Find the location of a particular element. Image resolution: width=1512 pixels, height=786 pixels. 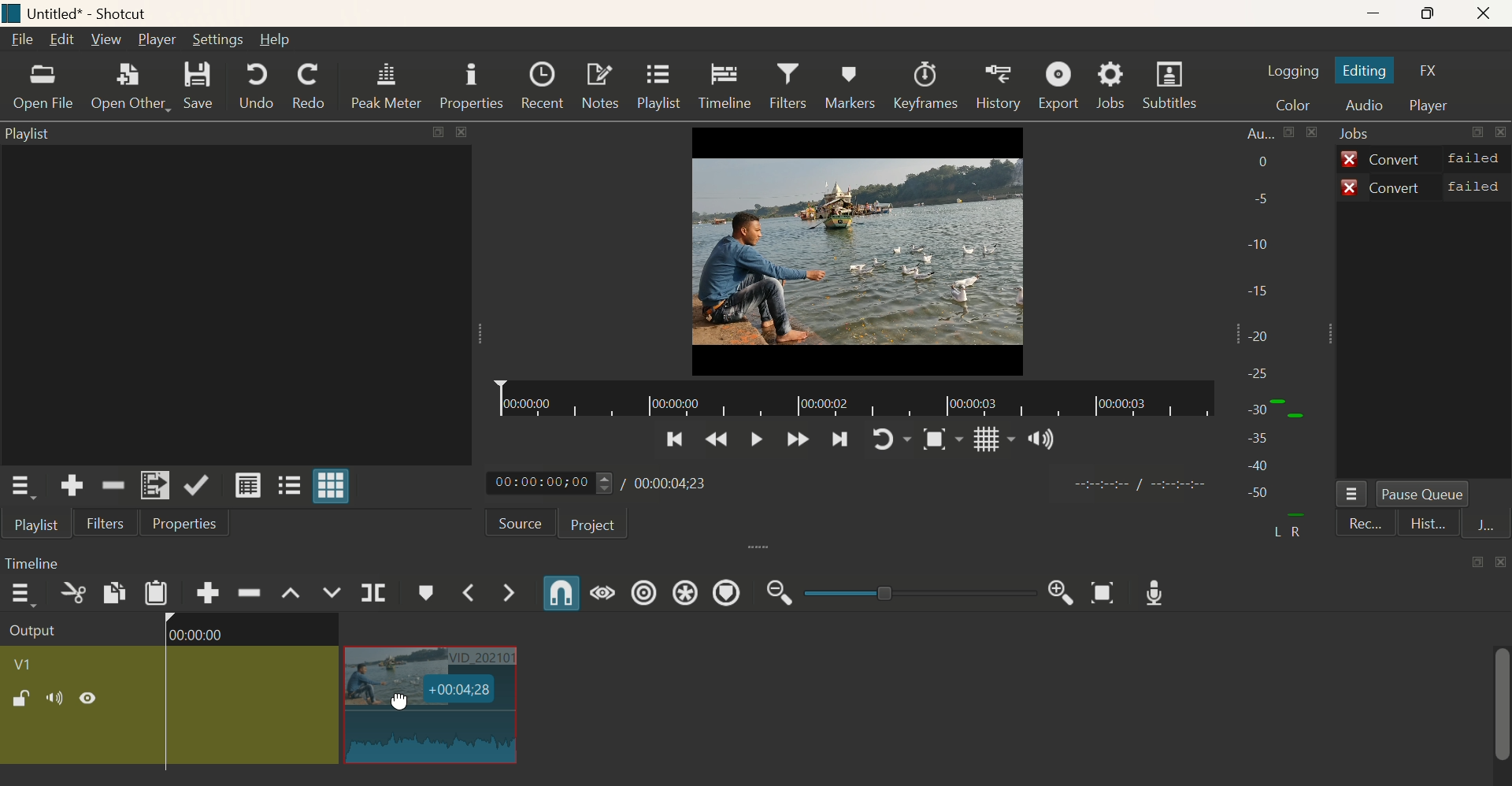

Open Other is located at coordinates (131, 89).